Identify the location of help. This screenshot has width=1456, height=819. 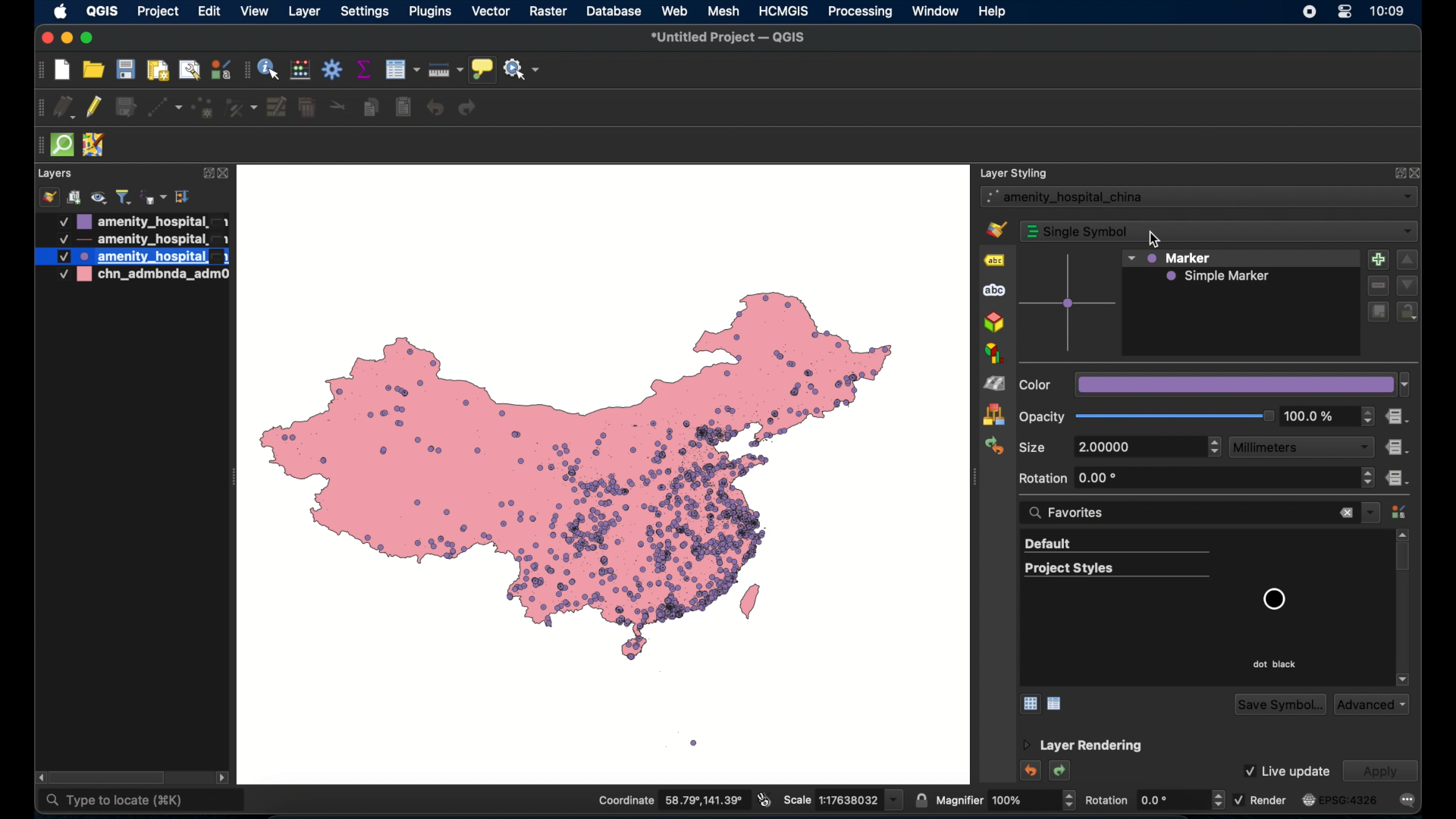
(994, 11).